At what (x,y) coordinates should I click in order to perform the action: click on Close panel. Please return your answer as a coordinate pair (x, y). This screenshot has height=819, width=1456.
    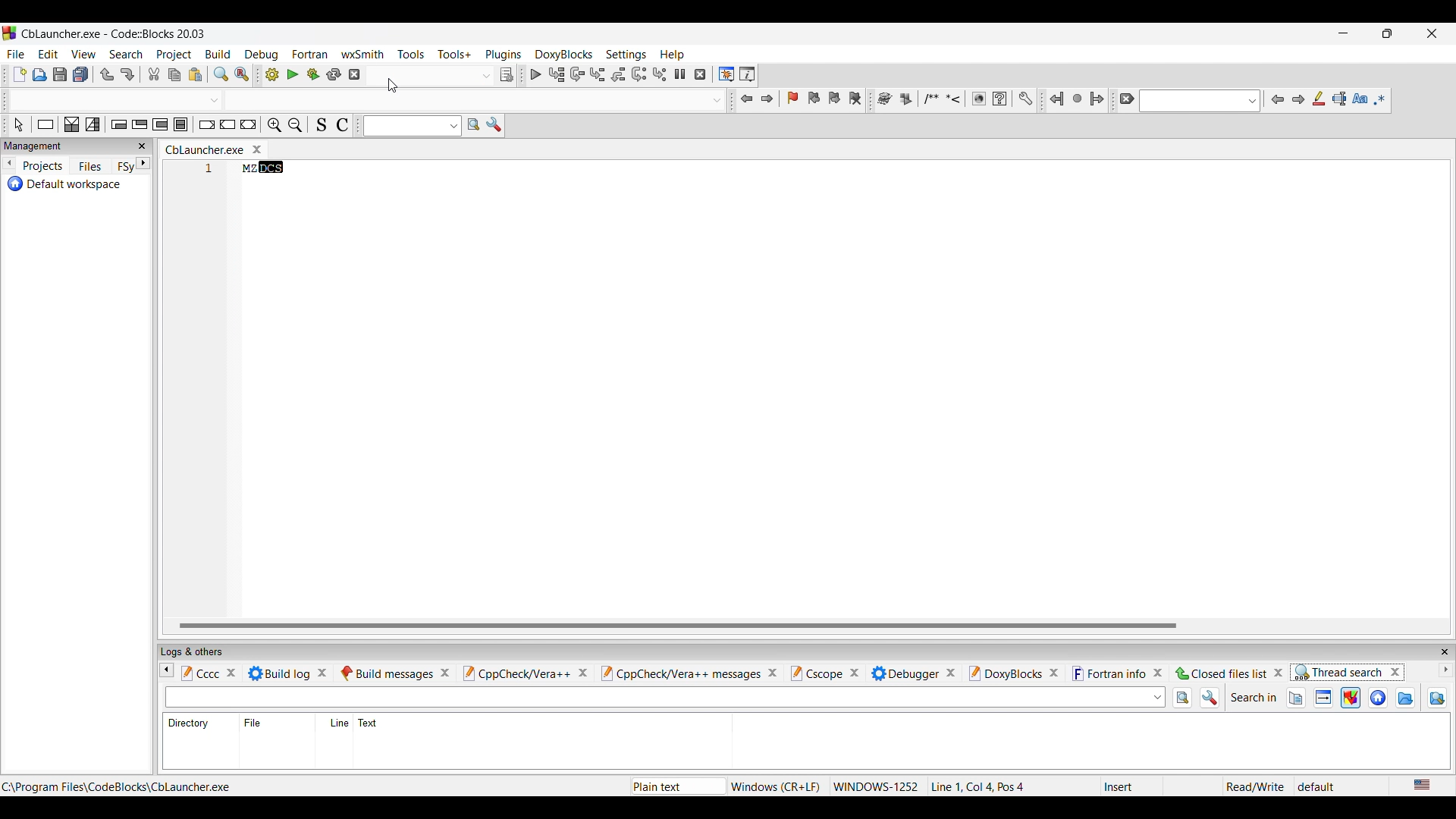
    Looking at the image, I should click on (142, 146).